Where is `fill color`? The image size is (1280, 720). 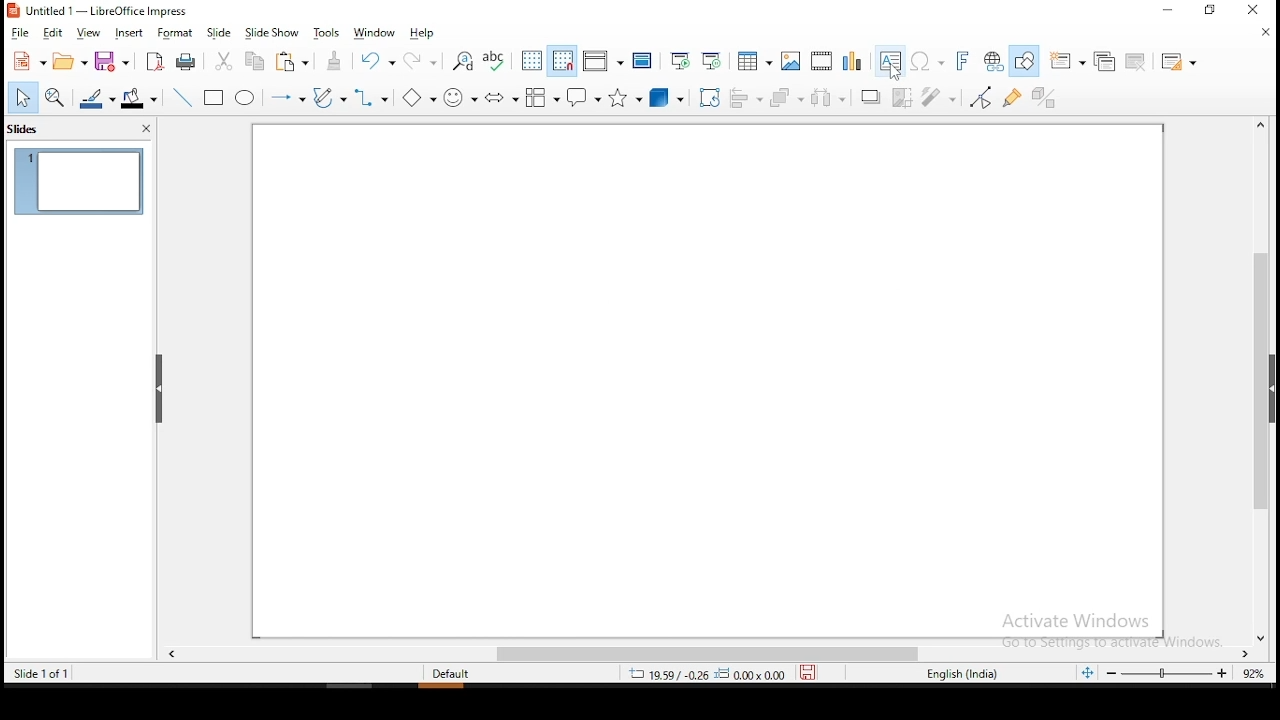 fill color is located at coordinates (139, 100).